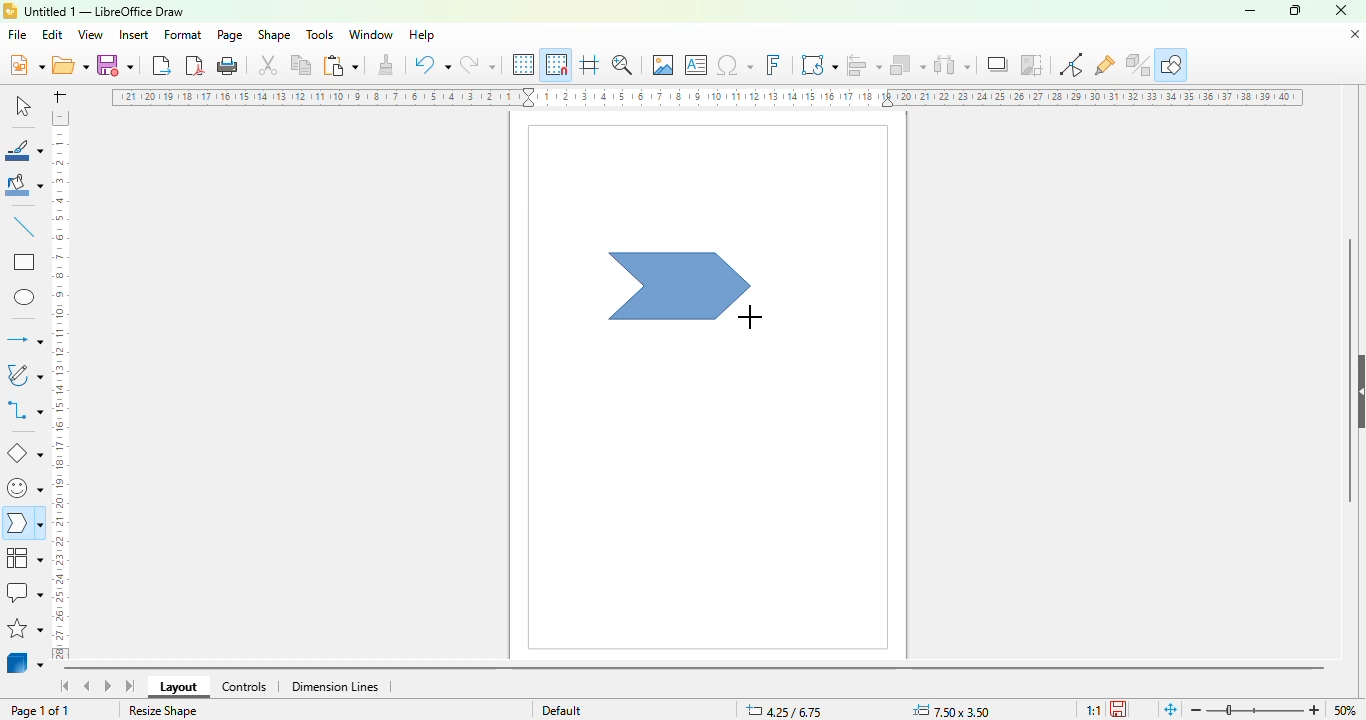  What do you see at coordinates (23, 525) in the screenshot?
I see `block arrows` at bounding box center [23, 525].